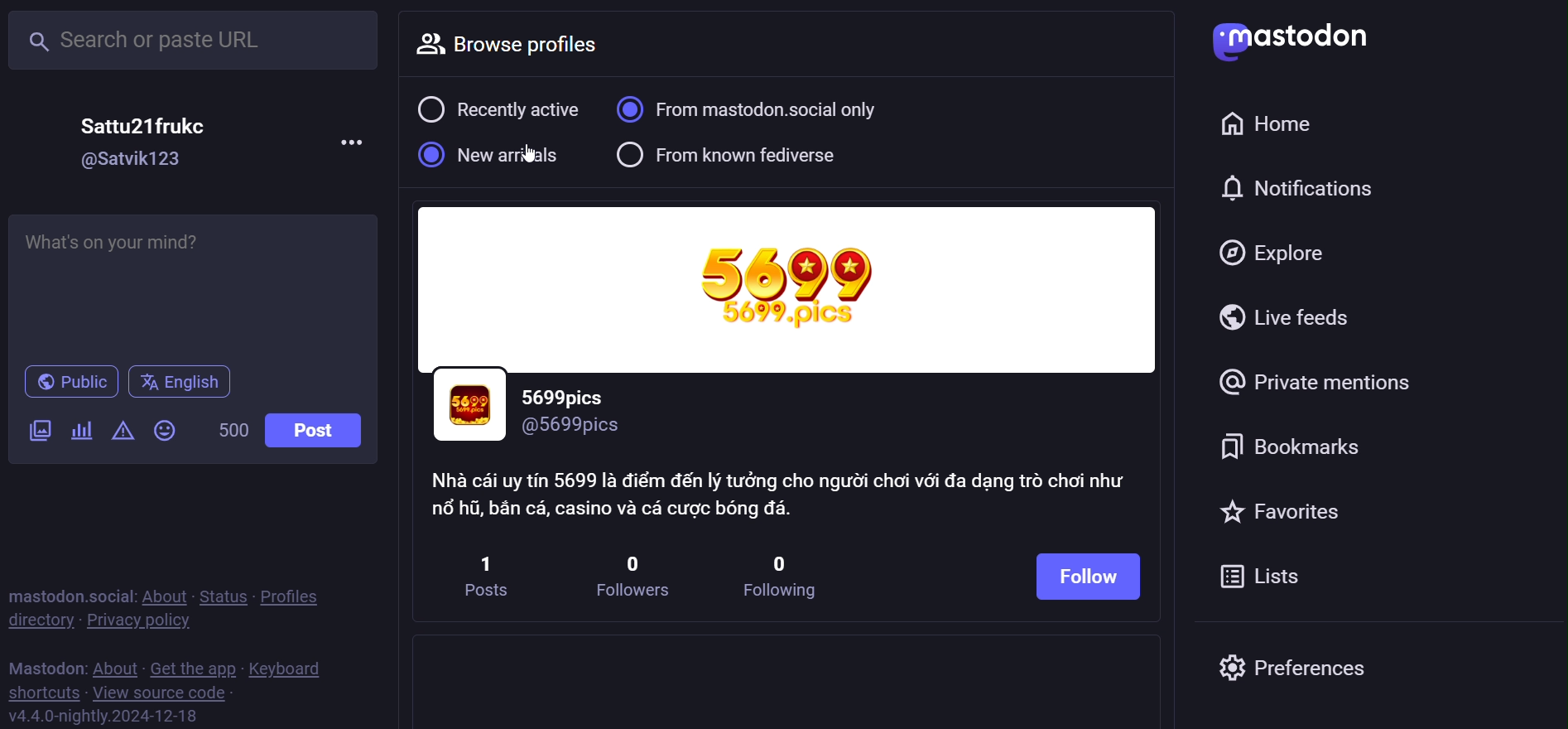 Image resolution: width=1568 pixels, height=729 pixels. Describe the element at coordinates (725, 156) in the screenshot. I see `from known fediverse` at that location.